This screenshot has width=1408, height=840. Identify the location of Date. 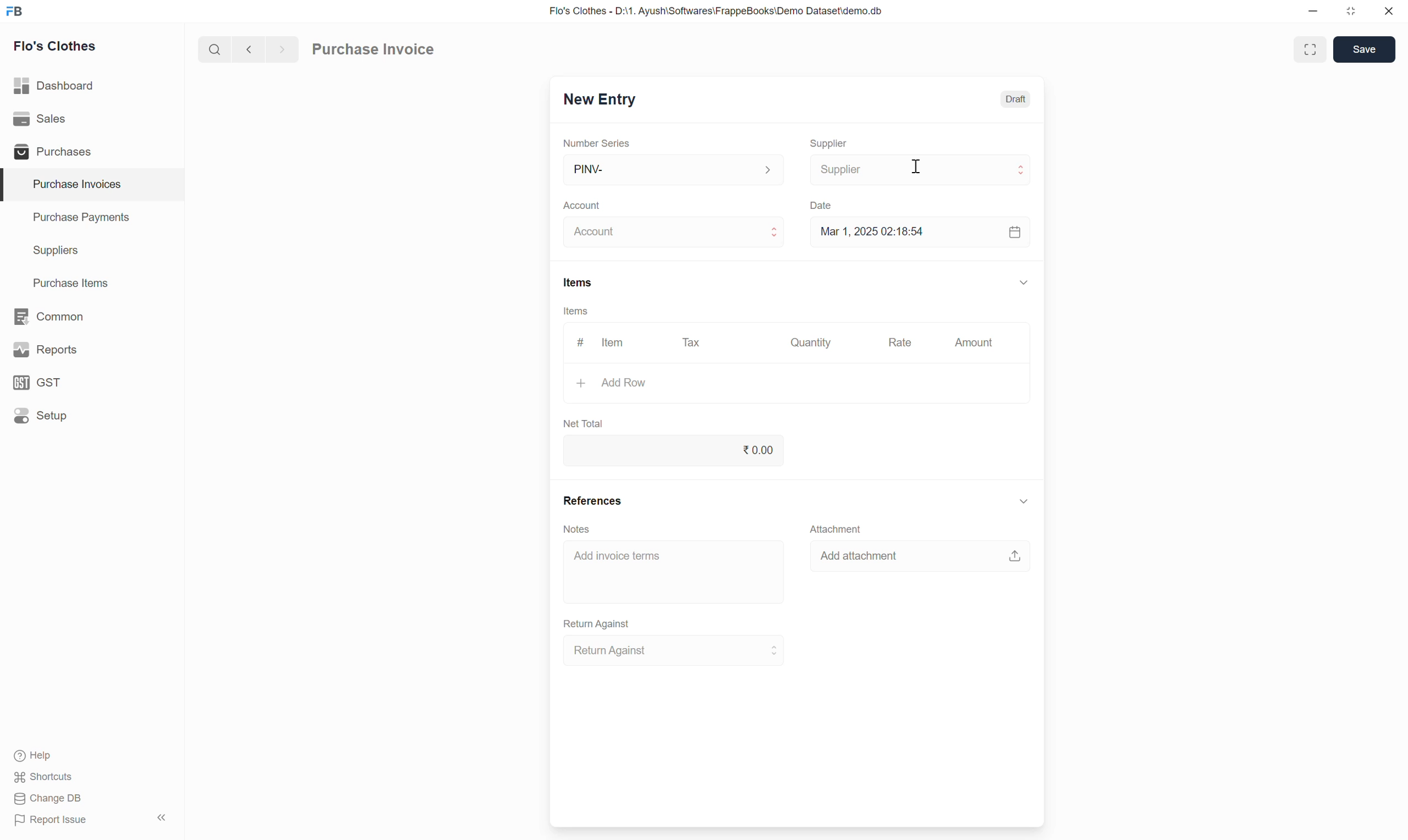
(822, 206).